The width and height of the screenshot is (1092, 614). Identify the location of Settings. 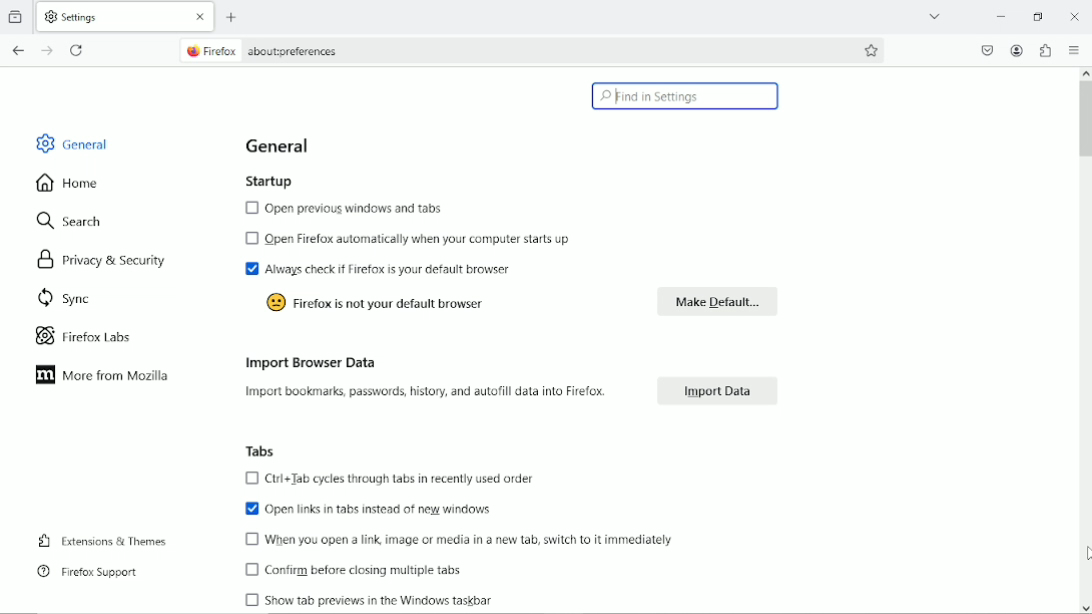
(105, 17).